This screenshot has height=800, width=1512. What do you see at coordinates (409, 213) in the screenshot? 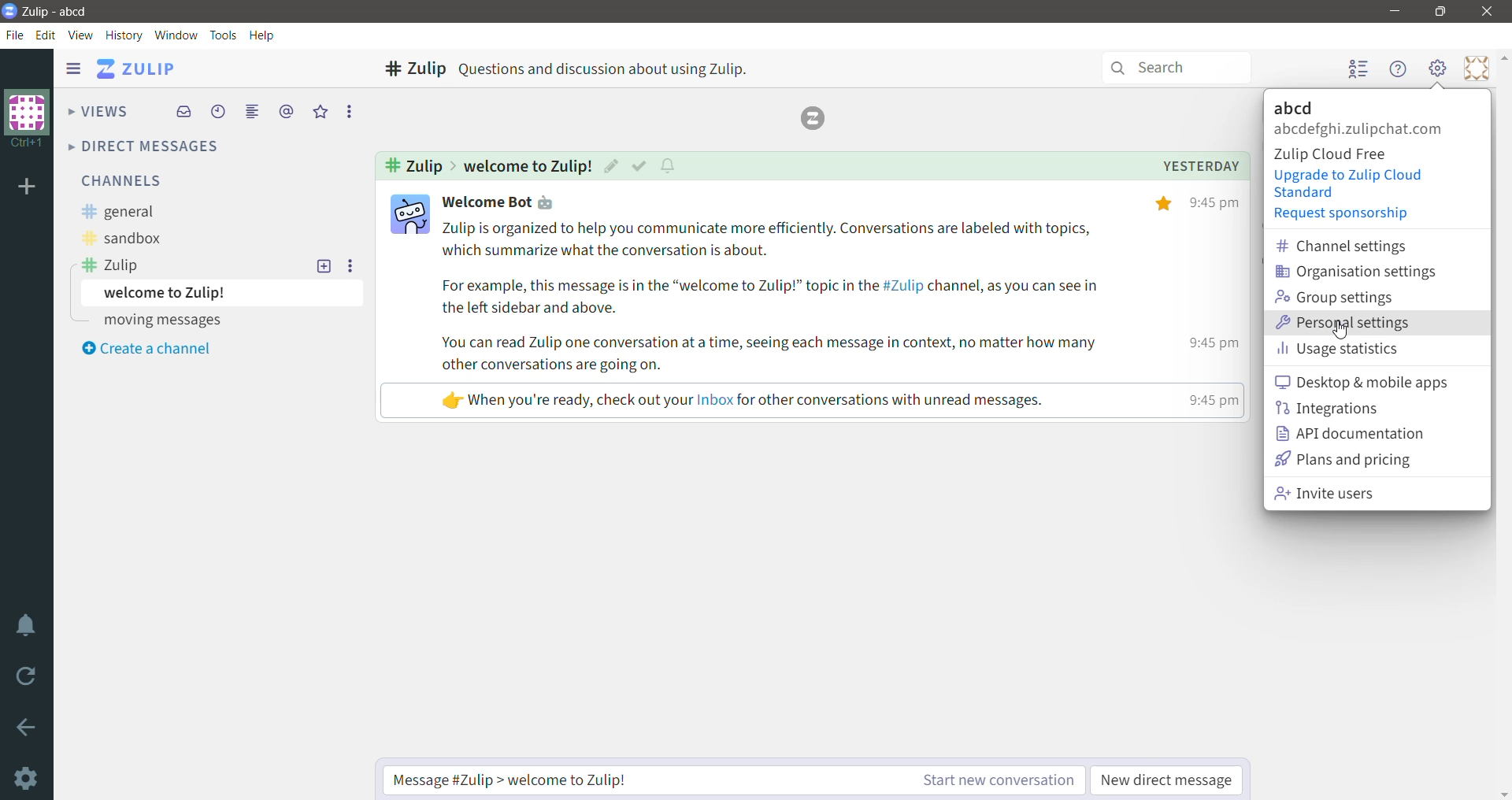
I see `Profile pic` at bounding box center [409, 213].